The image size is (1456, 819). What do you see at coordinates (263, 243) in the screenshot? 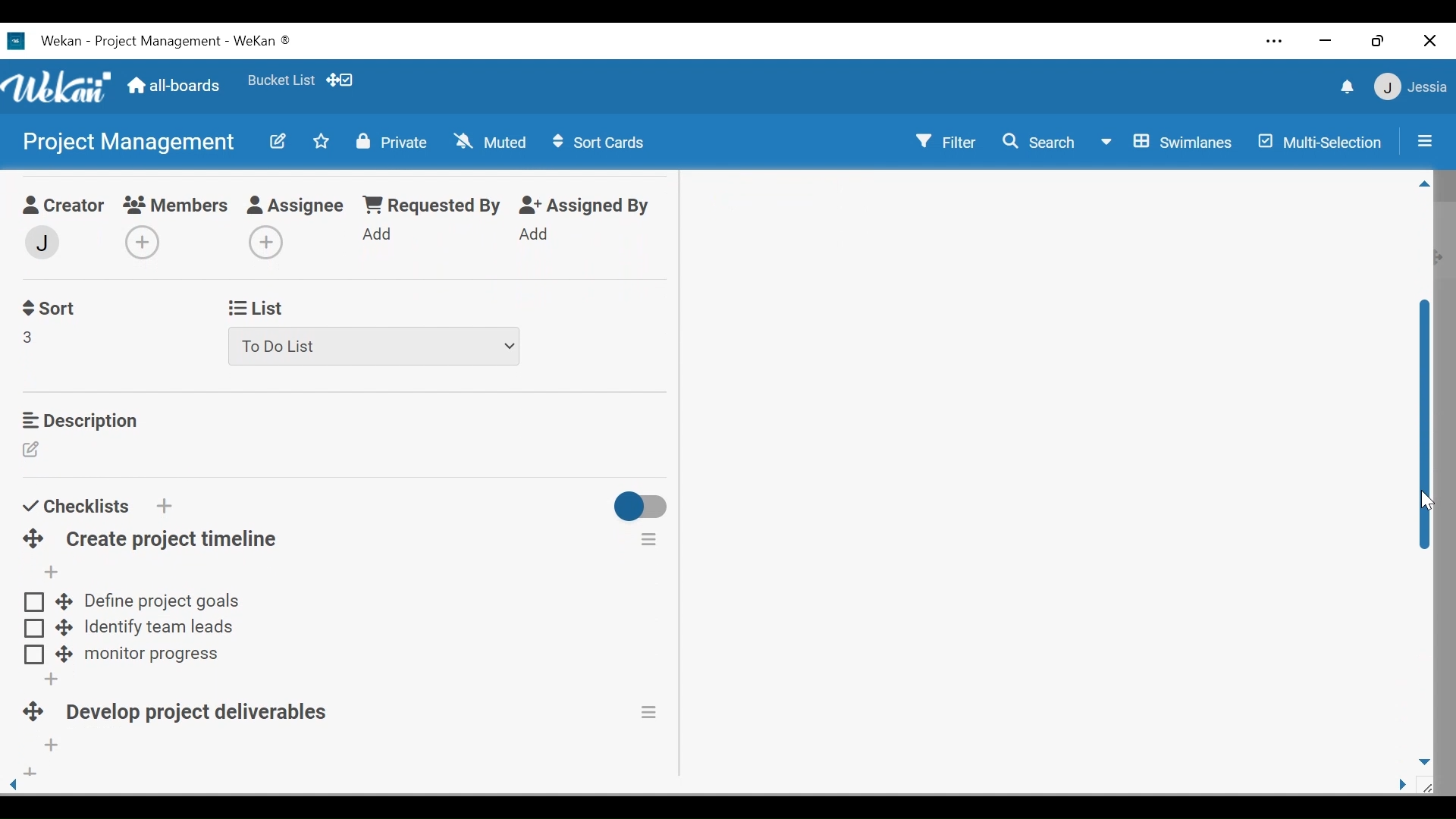
I see `Add Assignee` at bounding box center [263, 243].